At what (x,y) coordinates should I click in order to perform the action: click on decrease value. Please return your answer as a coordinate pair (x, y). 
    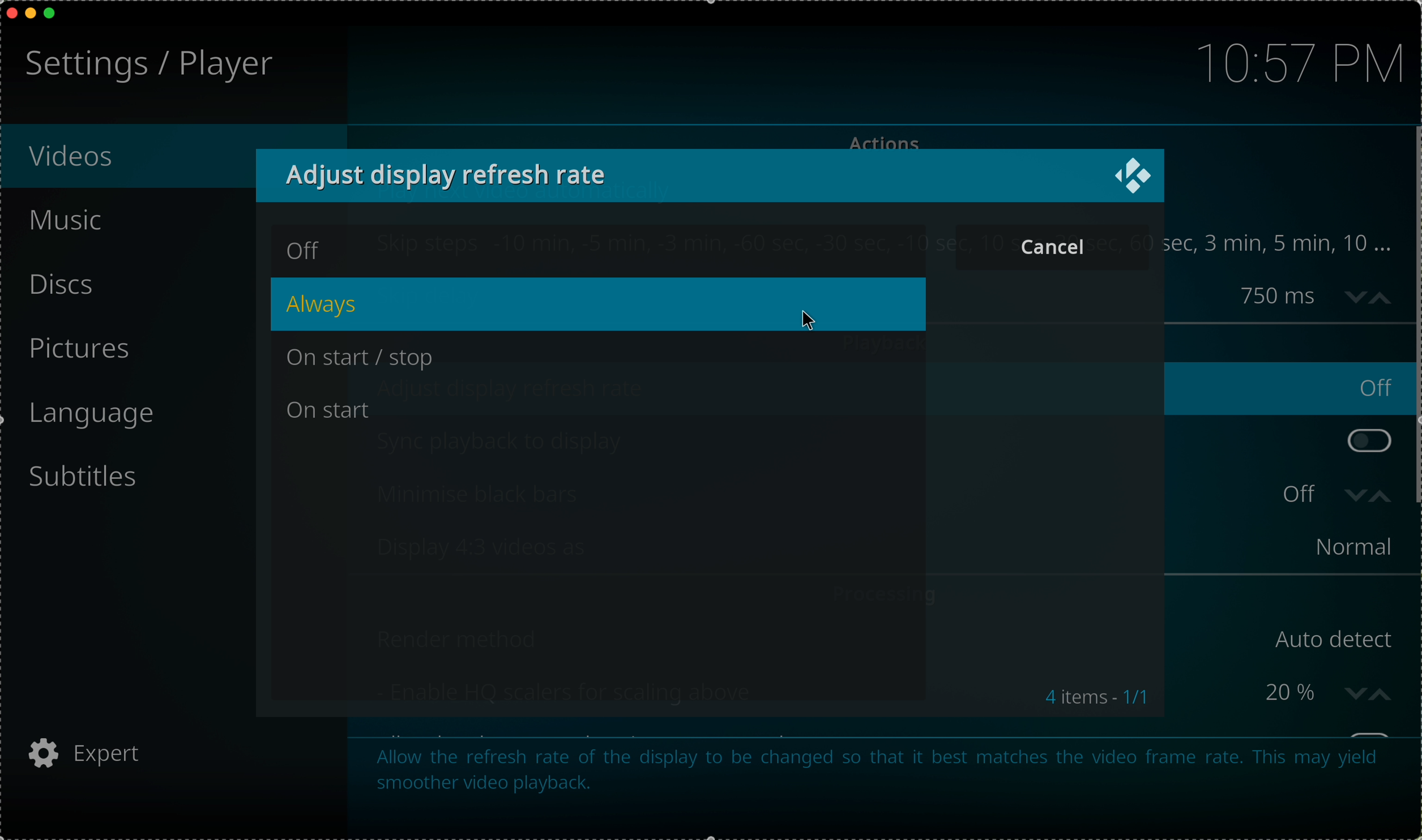
    Looking at the image, I should click on (1356, 692).